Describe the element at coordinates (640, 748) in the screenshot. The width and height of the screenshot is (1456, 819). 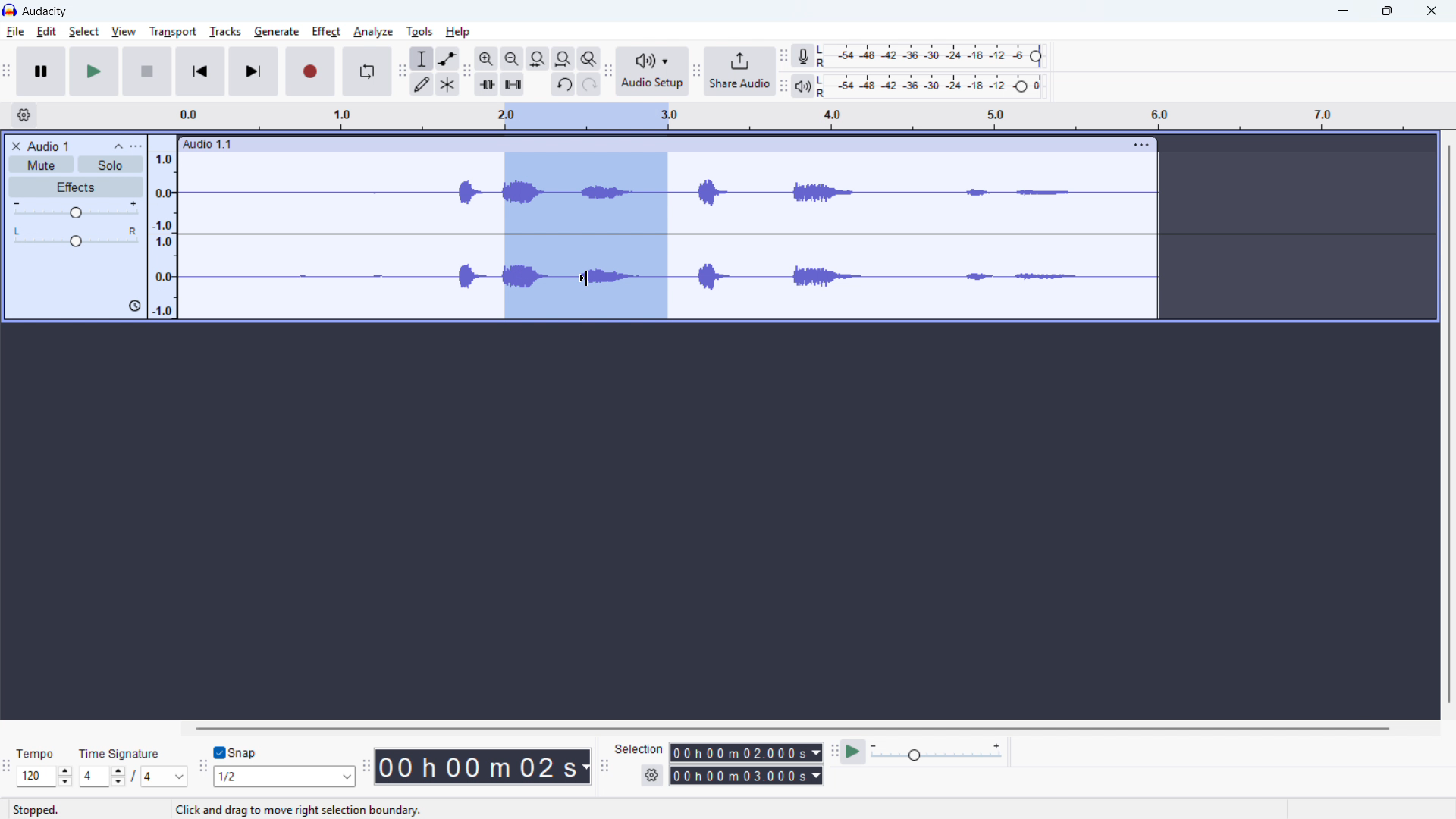
I see `Selection` at that location.